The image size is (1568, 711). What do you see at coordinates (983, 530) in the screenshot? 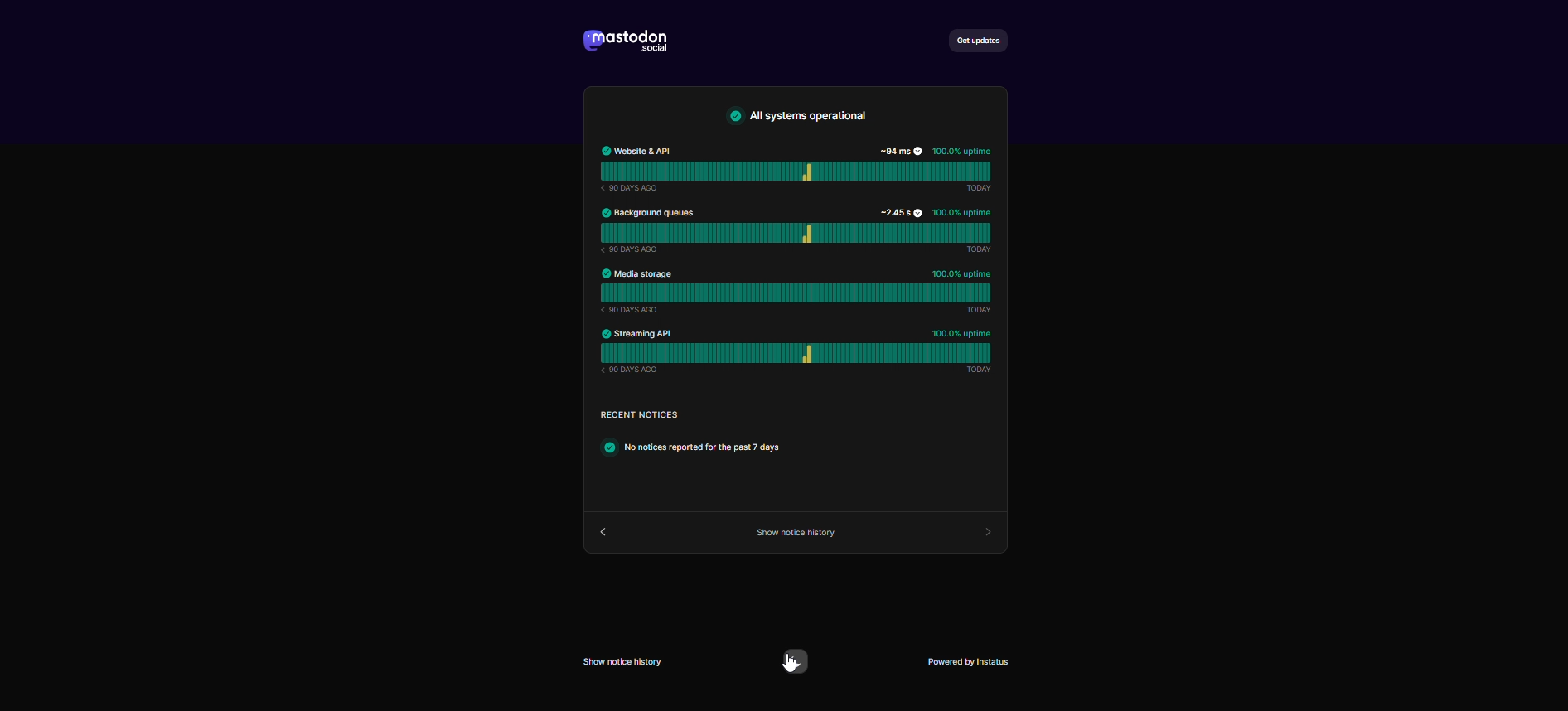
I see `forward` at bounding box center [983, 530].